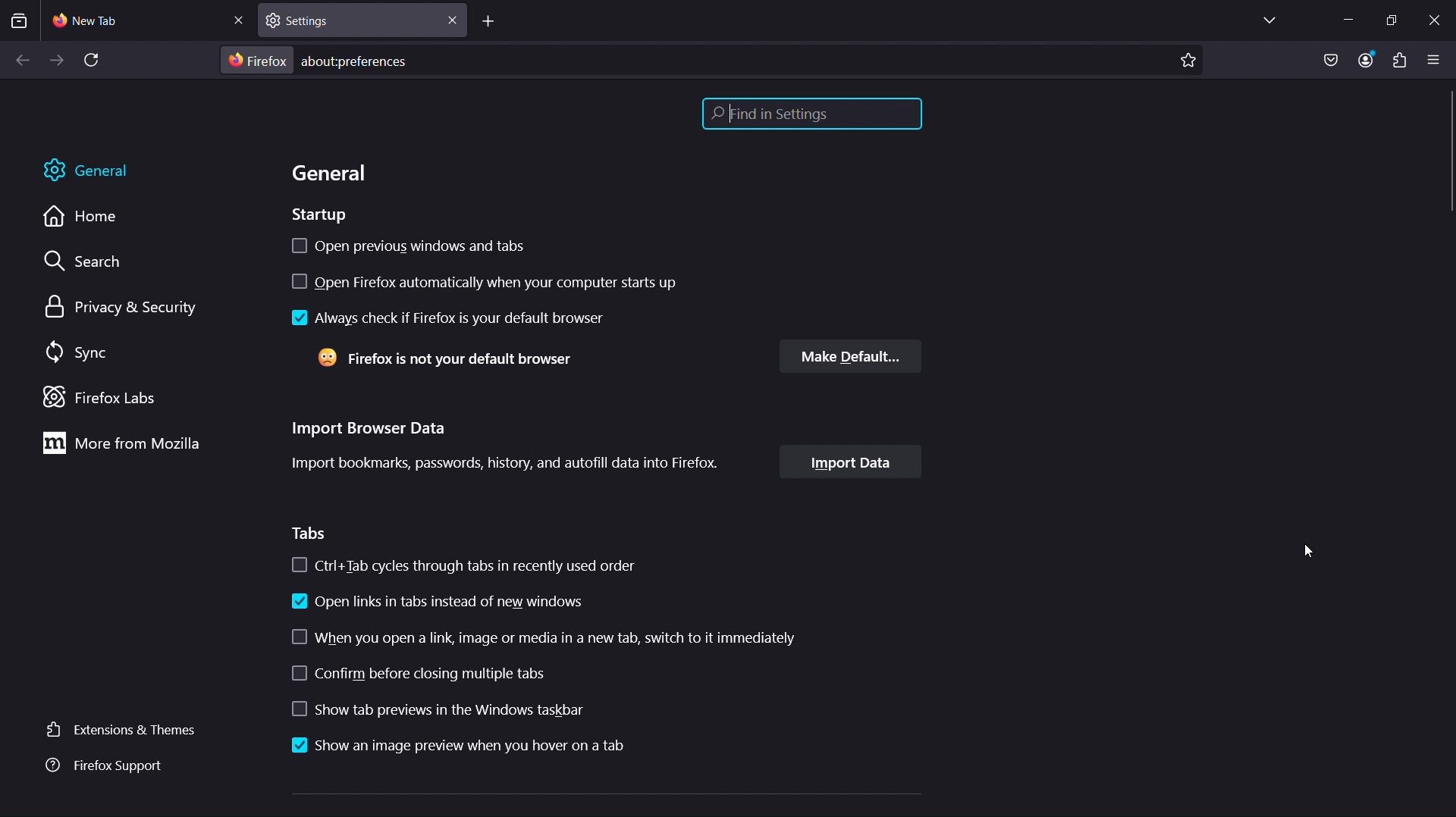 This screenshot has width=1456, height=817. Describe the element at coordinates (18, 62) in the screenshot. I see `Back` at that location.